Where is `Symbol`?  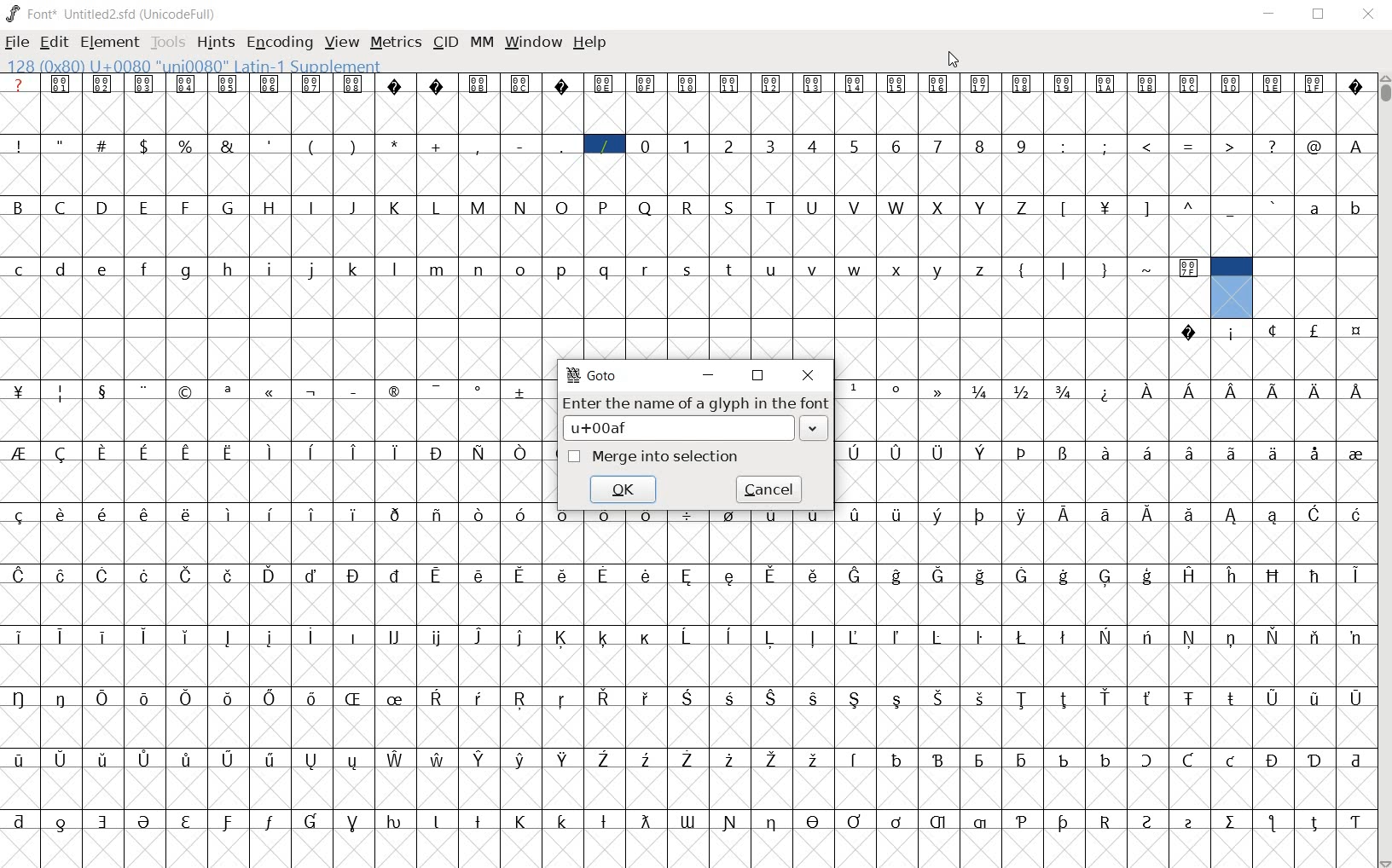
Symbol is located at coordinates (563, 637).